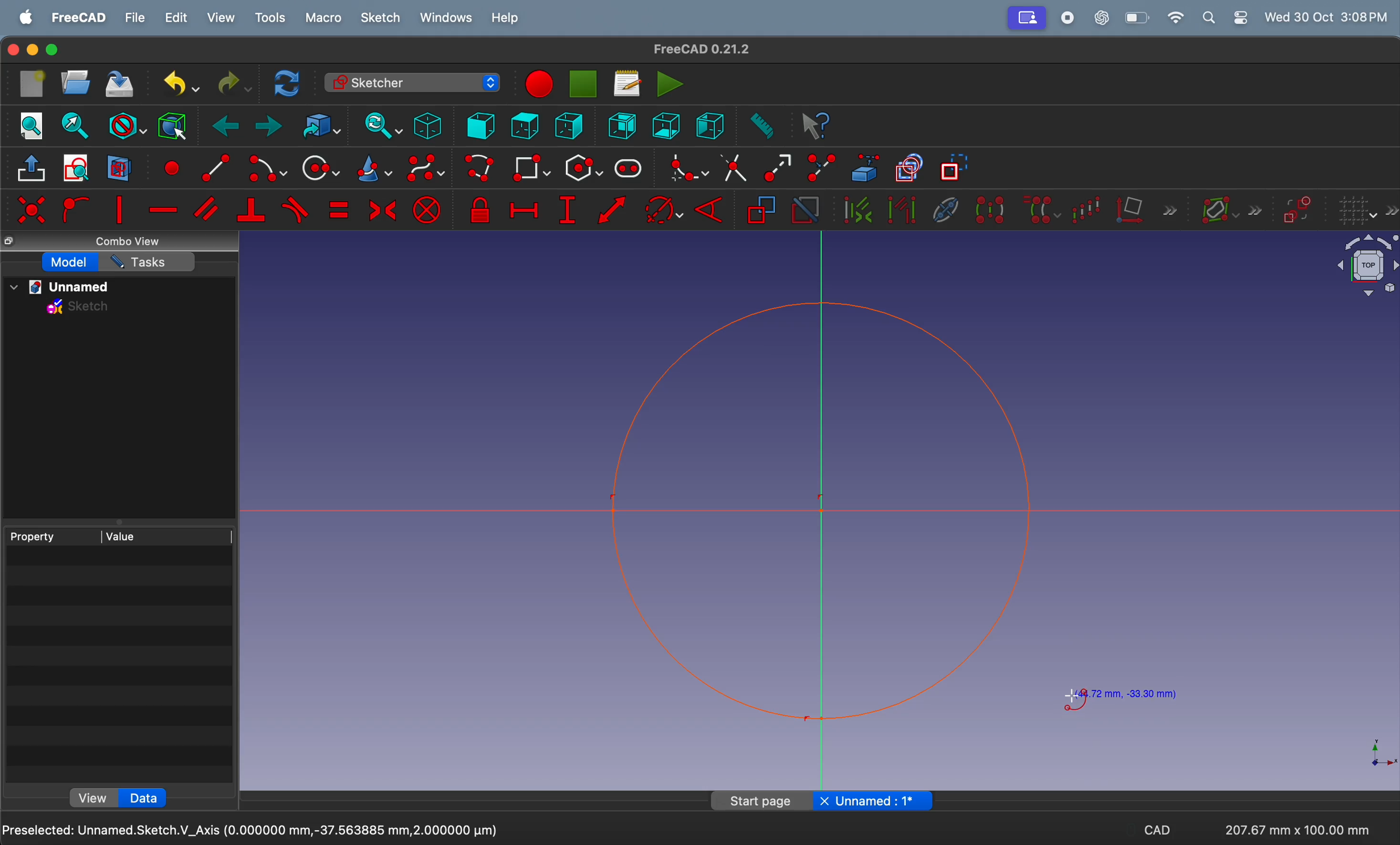 Image resolution: width=1400 pixels, height=845 pixels. I want to click on data, so click(149, 797).